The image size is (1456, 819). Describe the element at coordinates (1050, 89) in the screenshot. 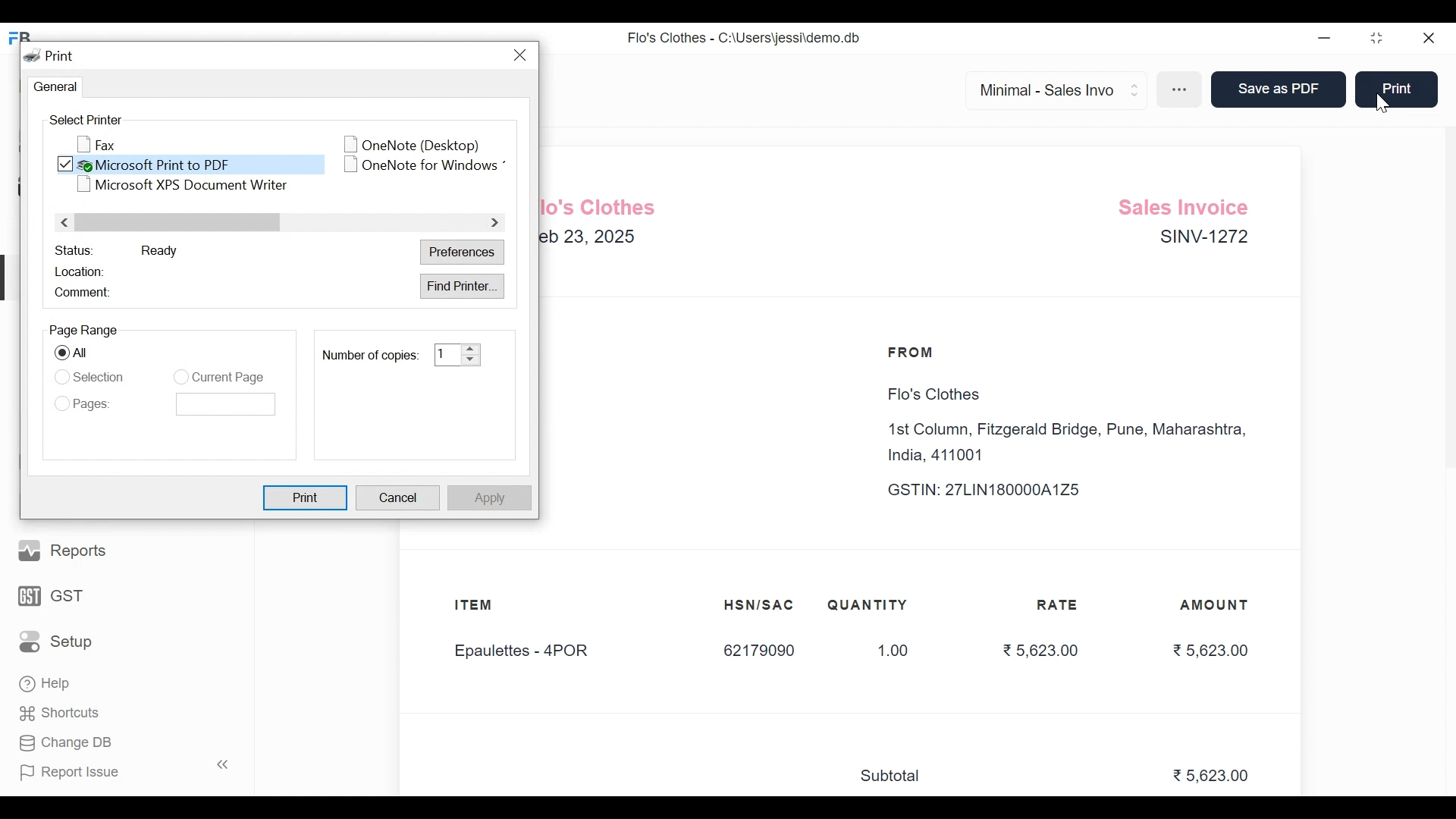

I see `Minimal - Sales Invo` at that location.